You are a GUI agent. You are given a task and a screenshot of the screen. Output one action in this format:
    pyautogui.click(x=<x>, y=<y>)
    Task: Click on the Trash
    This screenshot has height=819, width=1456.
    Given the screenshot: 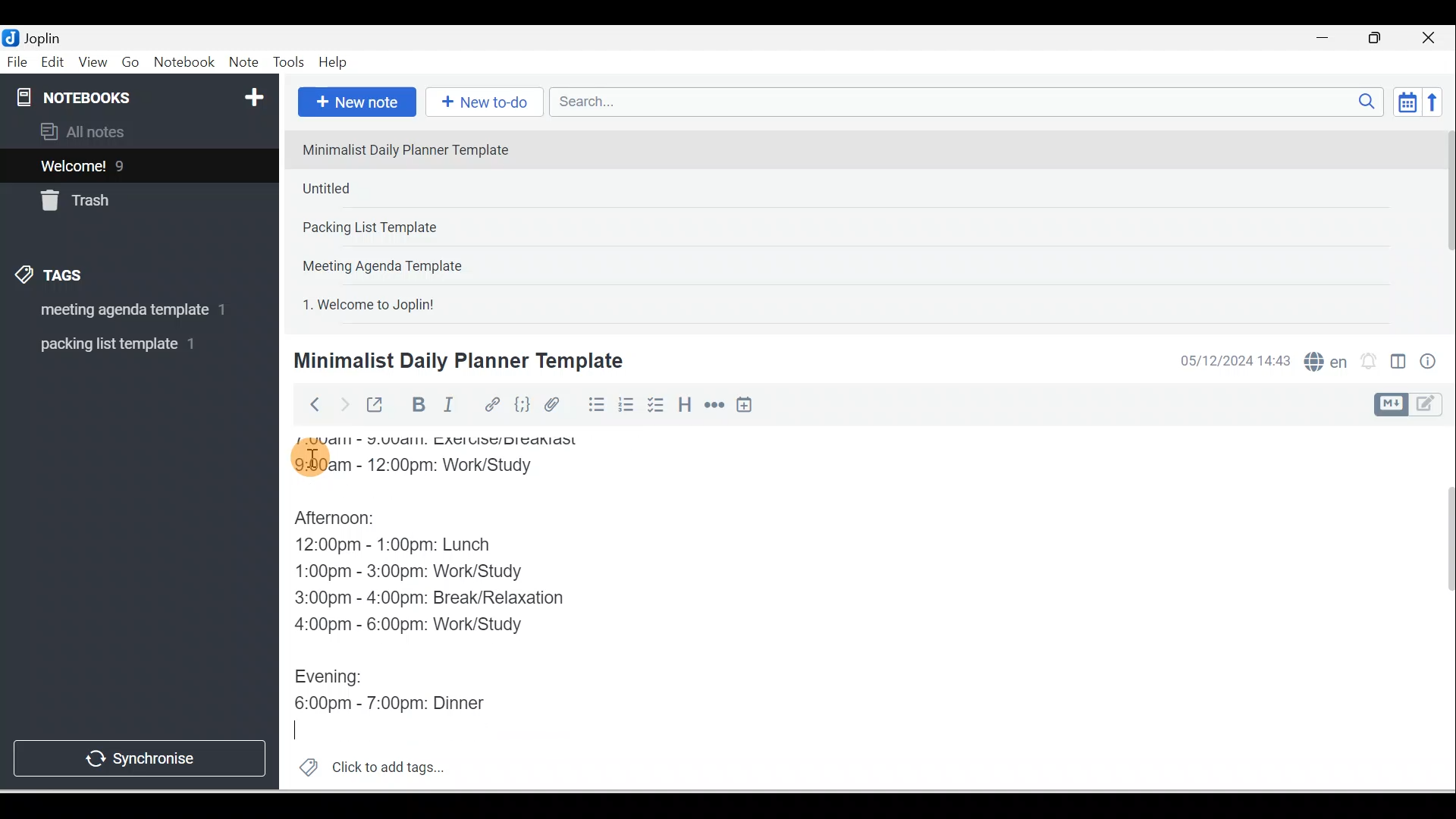 What is the action you would take?
    pyautogui.click(x=111, y=196)
    